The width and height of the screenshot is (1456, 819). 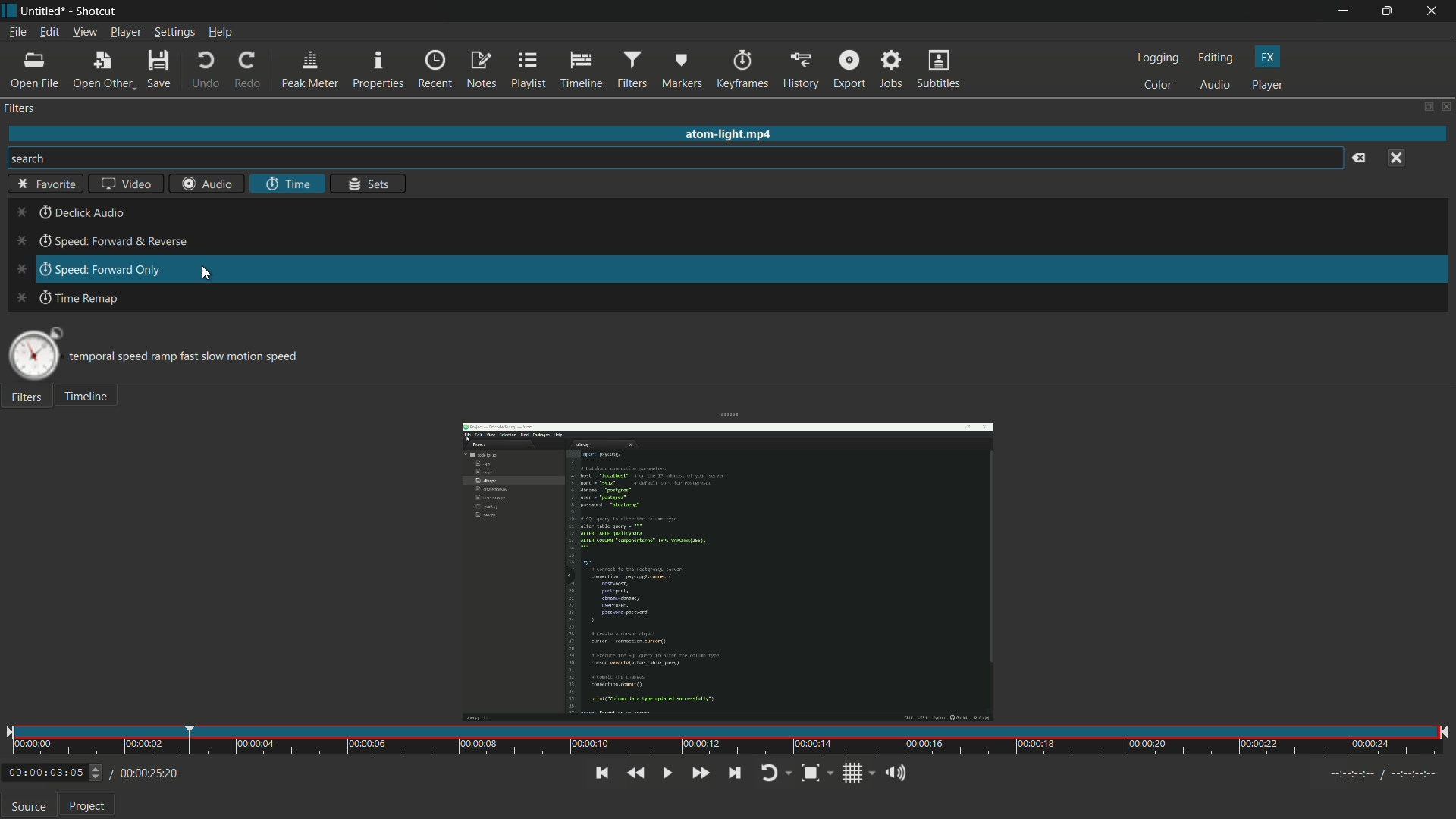 What do you see at coordinates (221, 33) in the screenshot?
I see `help menu` at bounding box center [221, 33].